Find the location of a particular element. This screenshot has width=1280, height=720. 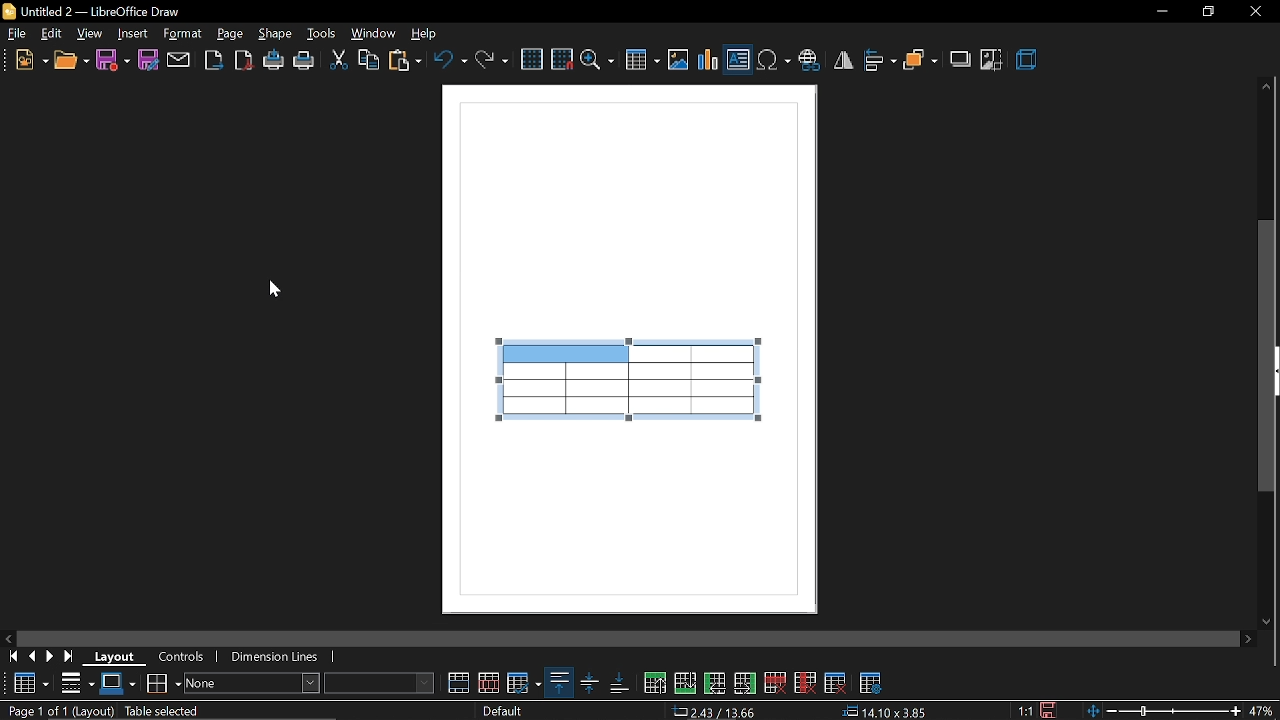

layout is located at coordinates (119, 657).